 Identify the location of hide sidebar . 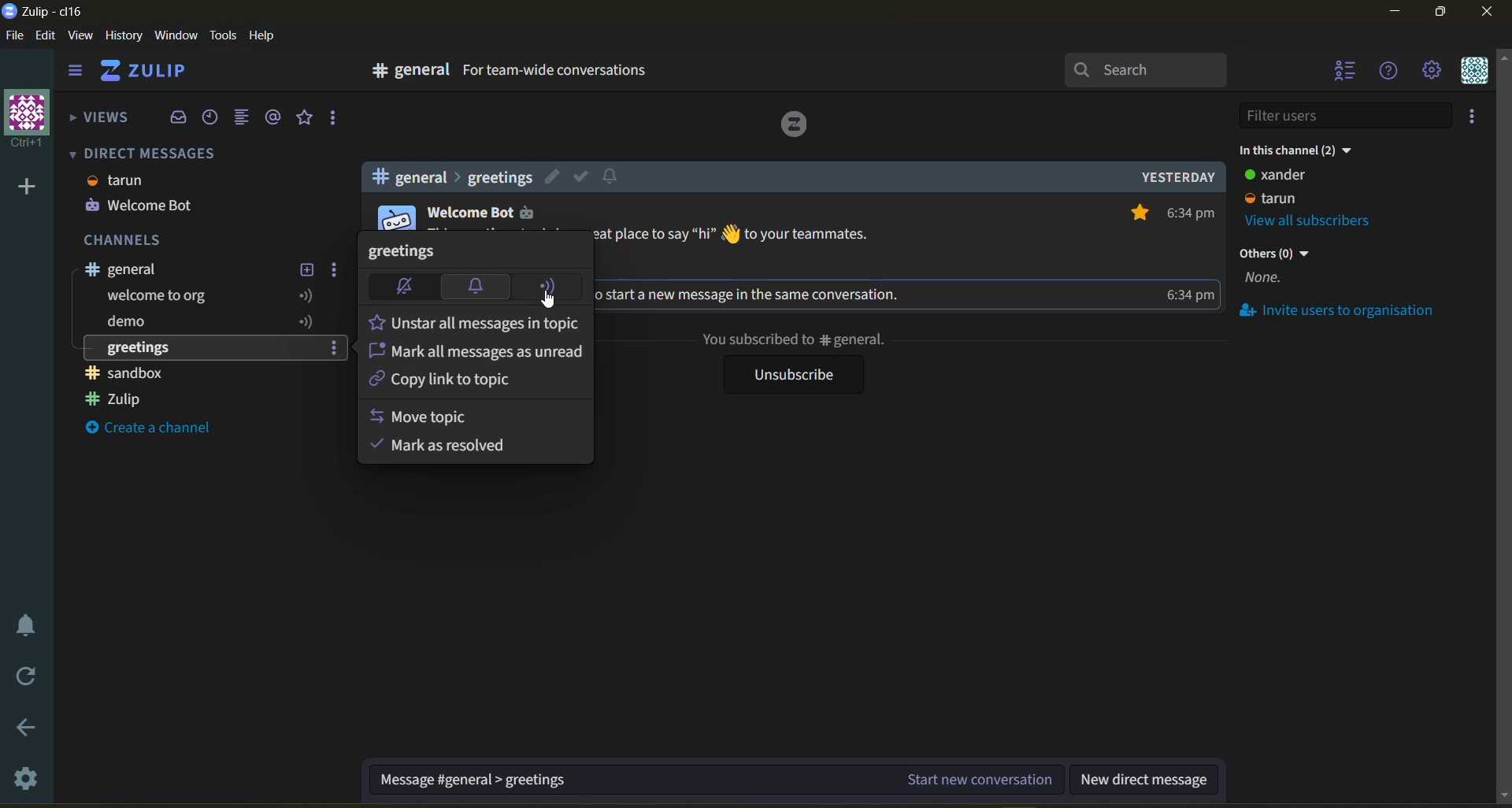
(75, 70).